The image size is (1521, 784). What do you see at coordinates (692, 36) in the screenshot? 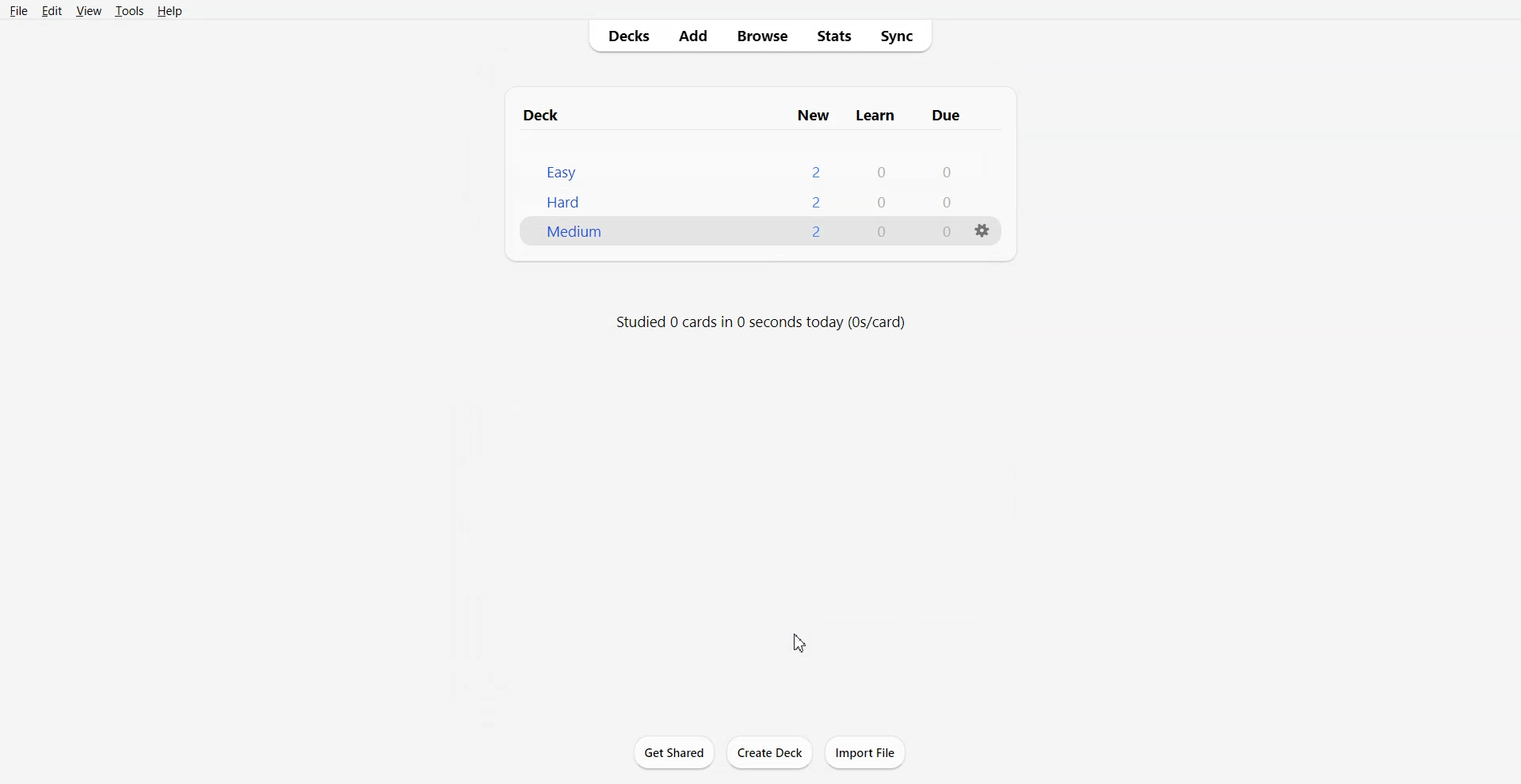
I see `Add` at bounding box center [692, 36].